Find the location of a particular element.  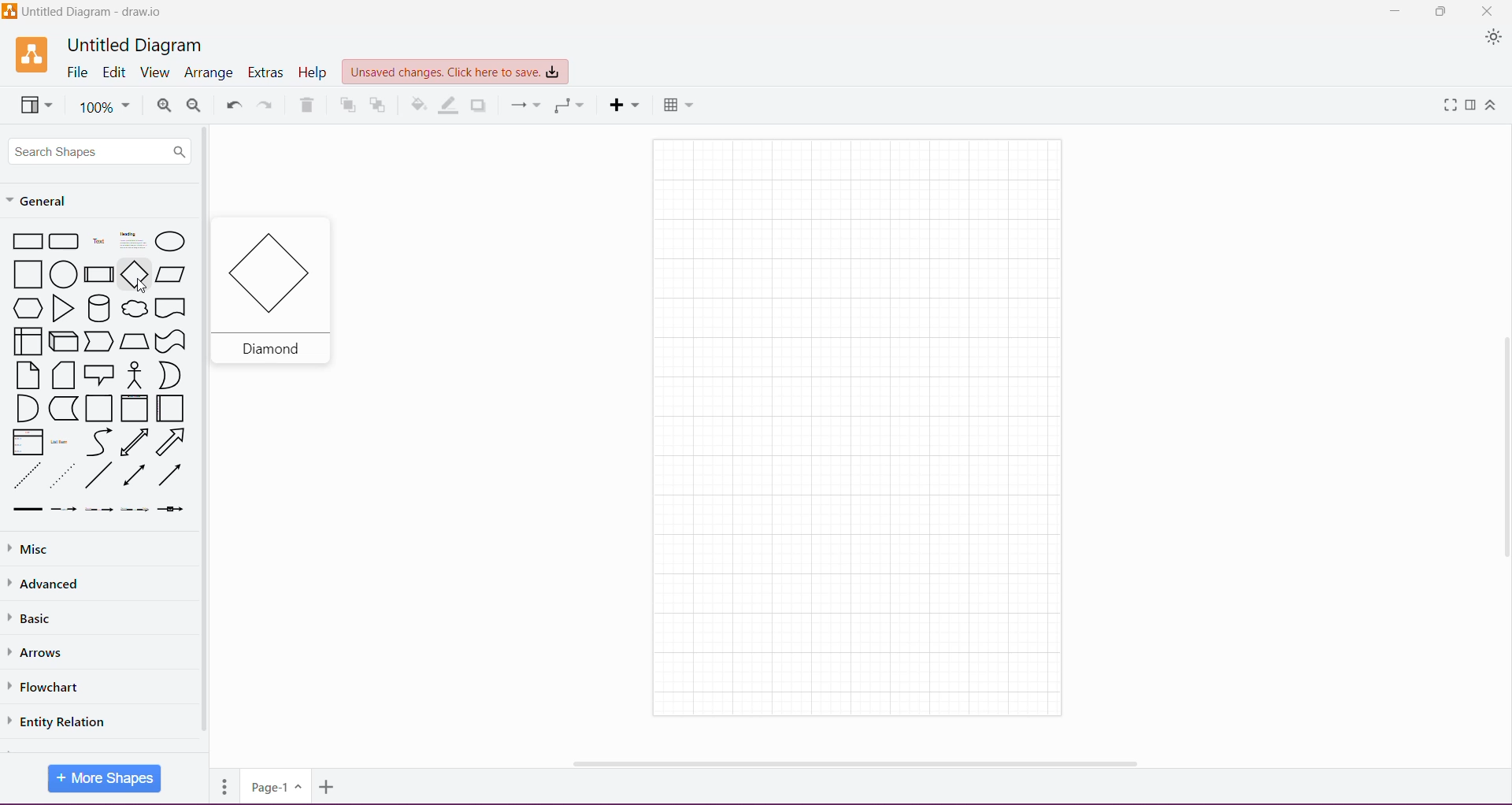

Zoom is located at coordinates (106, 107).